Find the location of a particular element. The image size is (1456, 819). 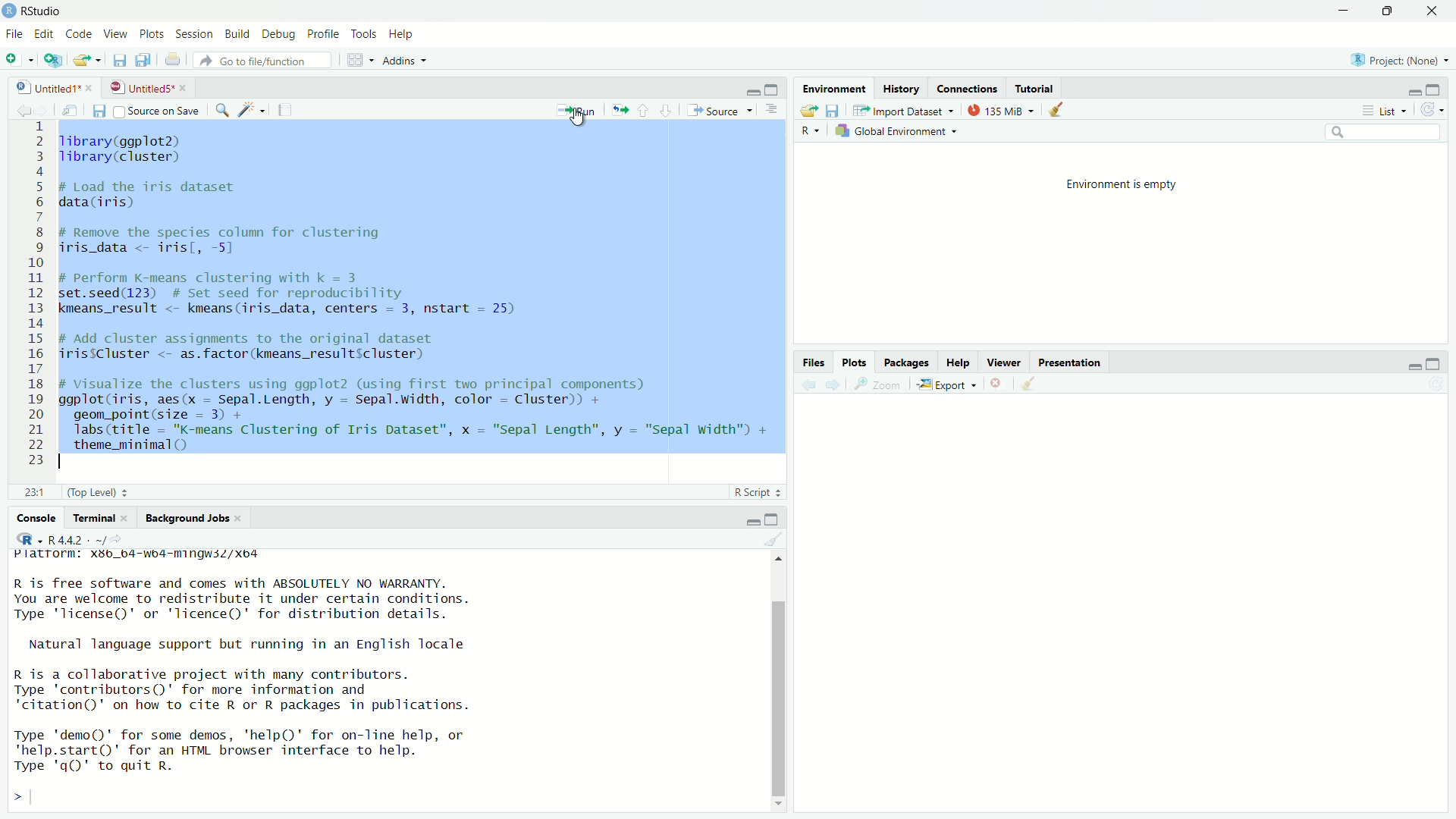

maximize is located at coordinates (1385, 11).